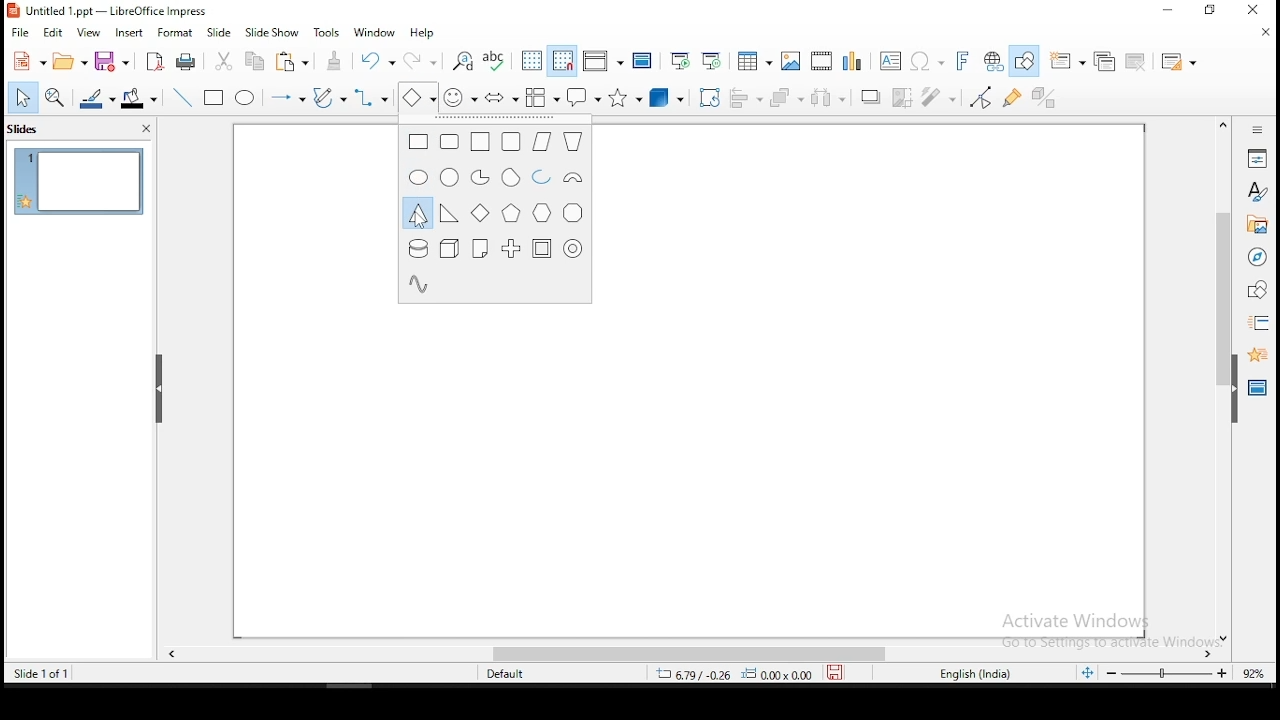 Image resolution: width=1280 pixels, height=720 pixels. What do you see at coordinates (295, 63) in the screenshot?
I see `paste` at bounding box center [295, 63].